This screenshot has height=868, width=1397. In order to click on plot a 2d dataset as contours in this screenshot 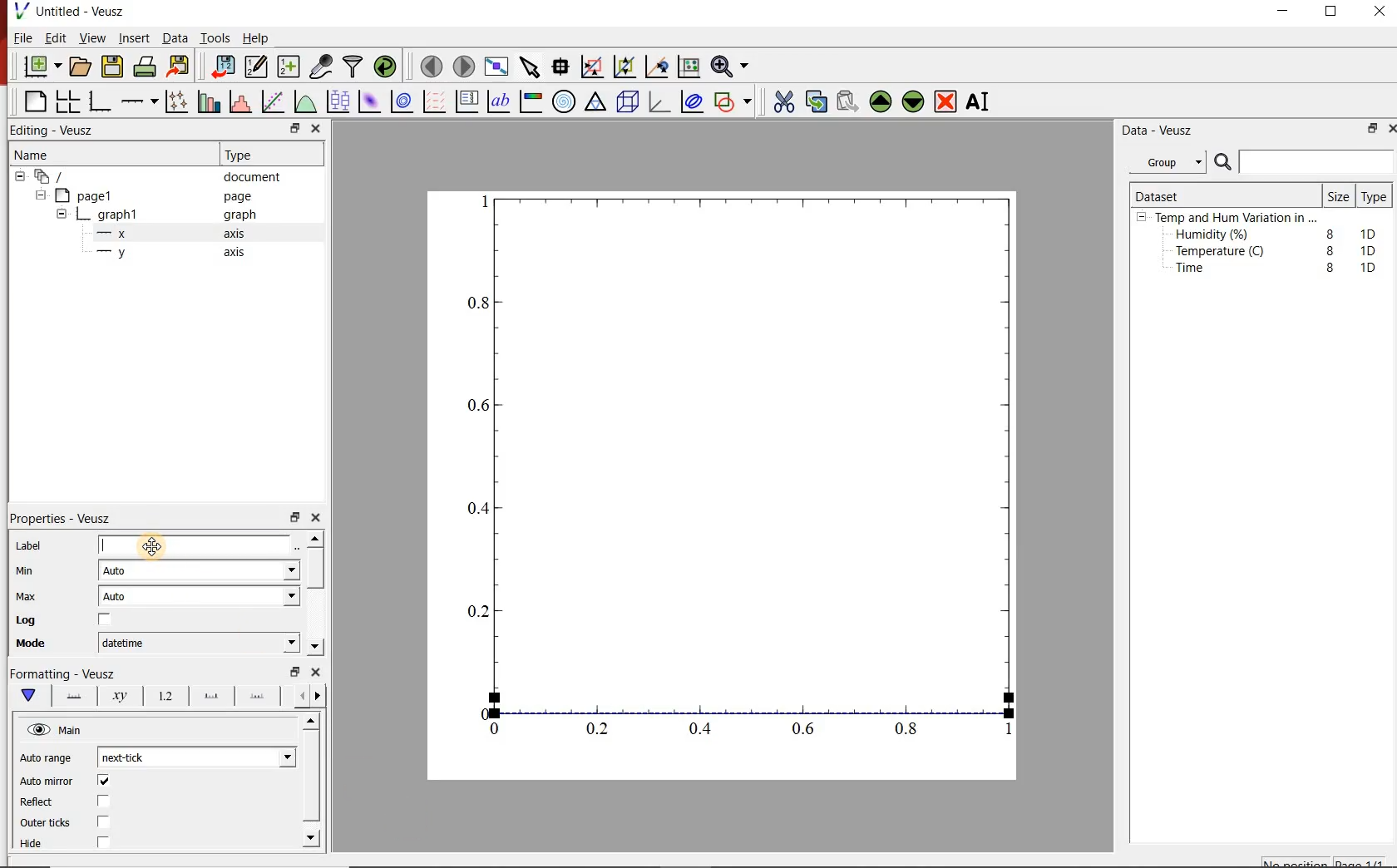, I will do `click(406, 102)`.